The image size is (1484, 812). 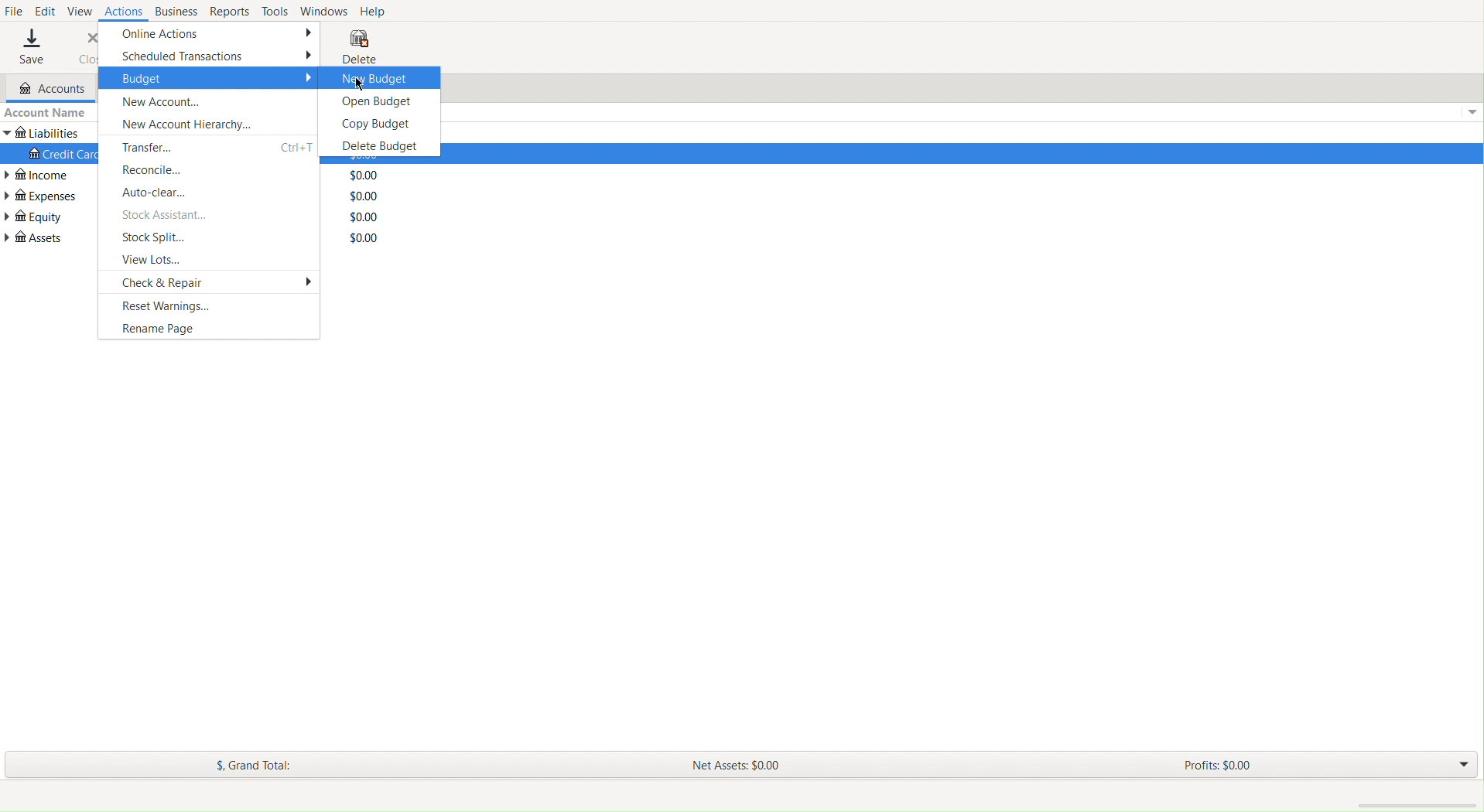 What do you see at coordinates (365, 194) in the screenshot?
I see `Total` at bounding box center [365, 194].